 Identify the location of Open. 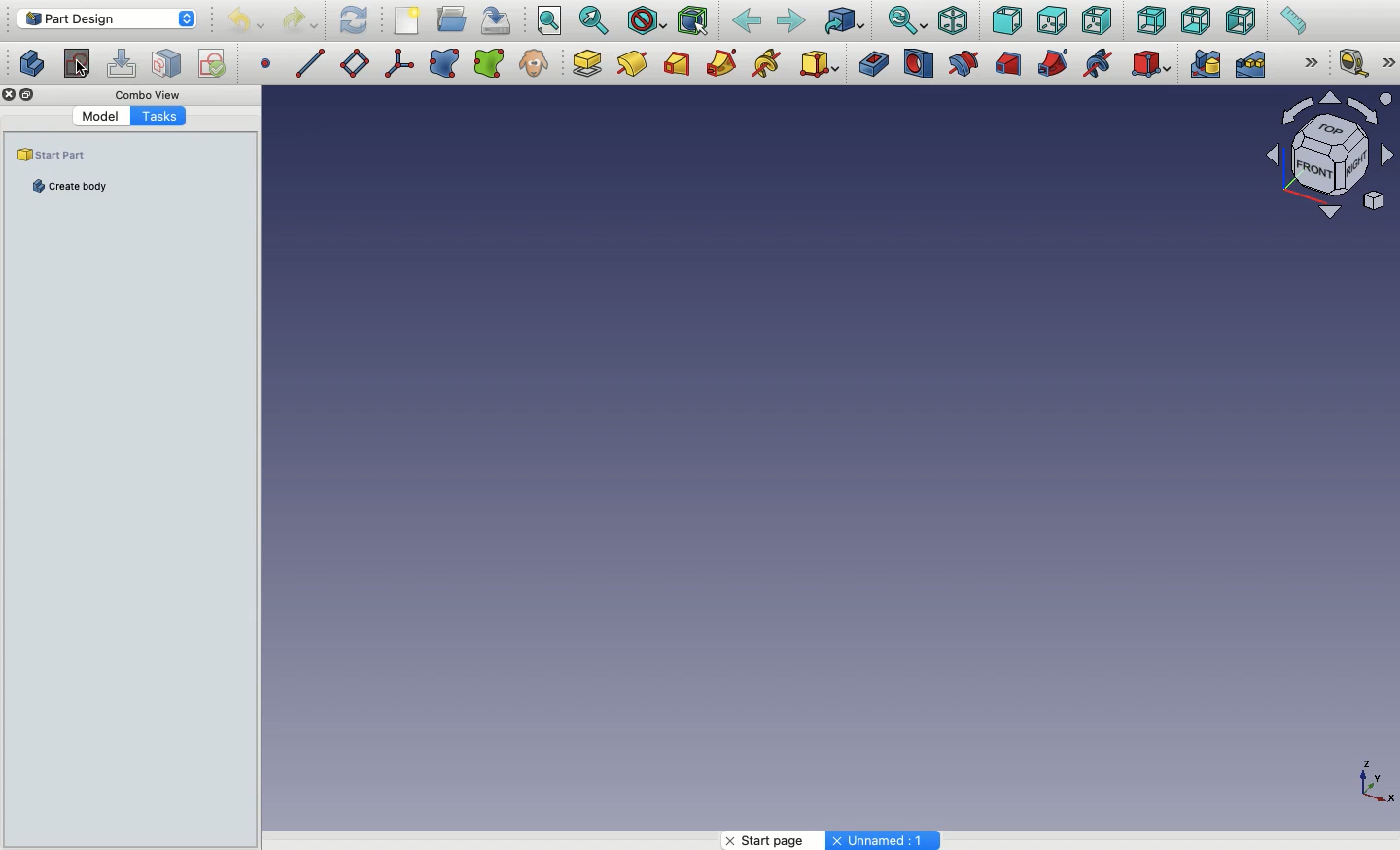
(454, 19).